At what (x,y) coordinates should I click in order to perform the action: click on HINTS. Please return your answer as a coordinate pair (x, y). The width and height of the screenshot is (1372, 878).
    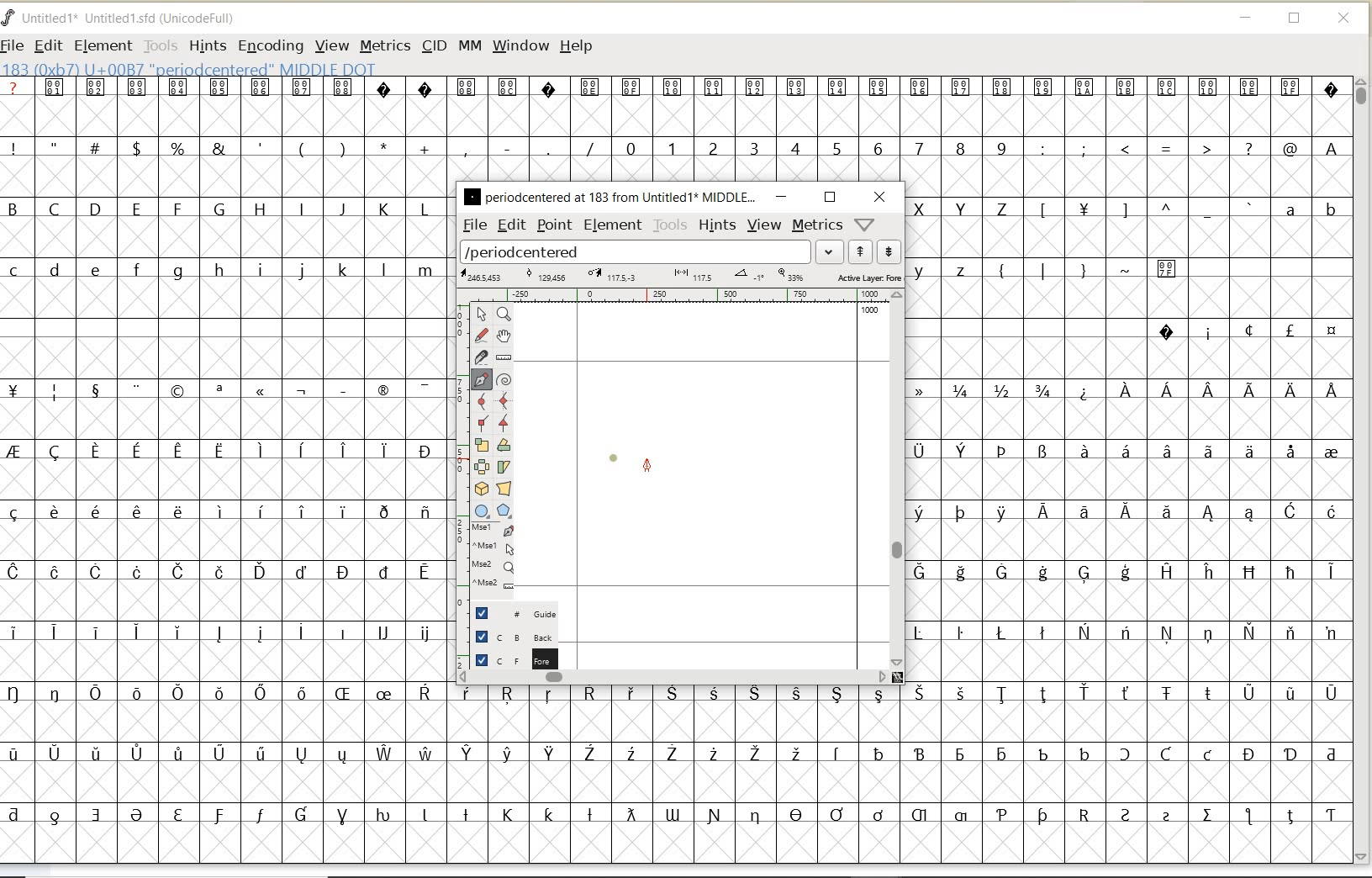
    Looking at the image, I should click on (206, 45).